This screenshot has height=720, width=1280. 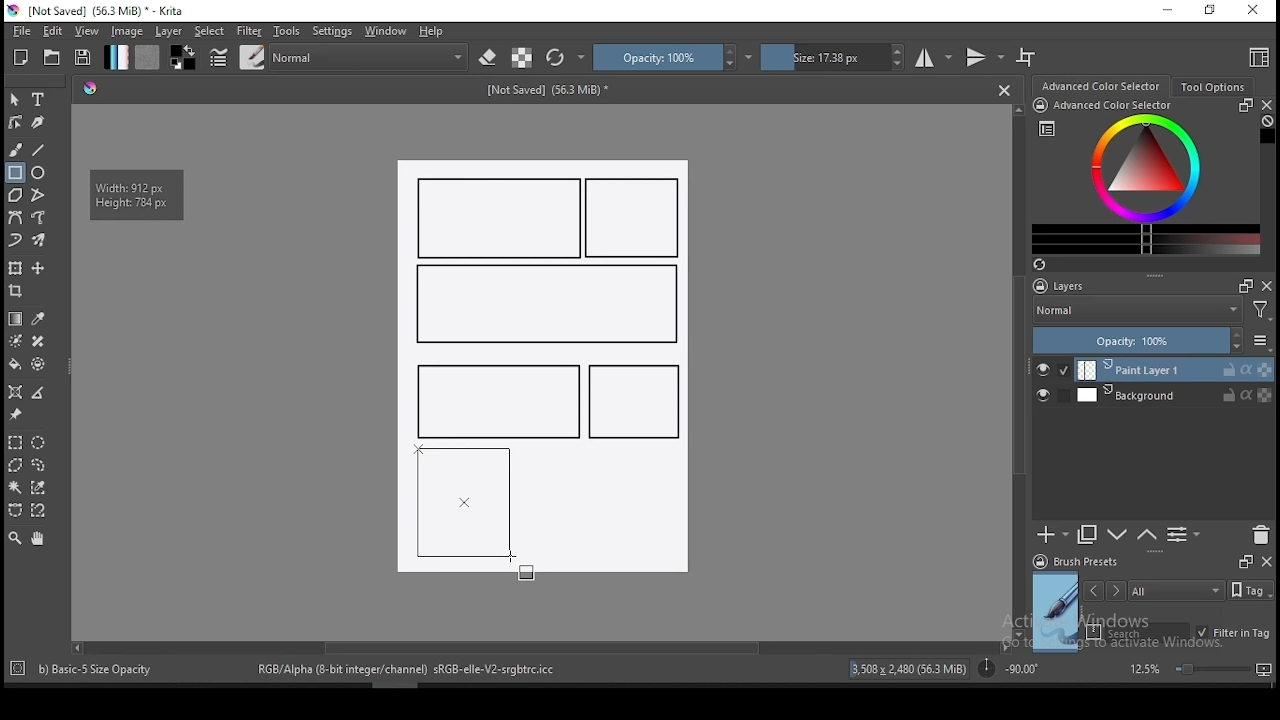 I want to click on advanced color selector, so click(x=1142, y=176).